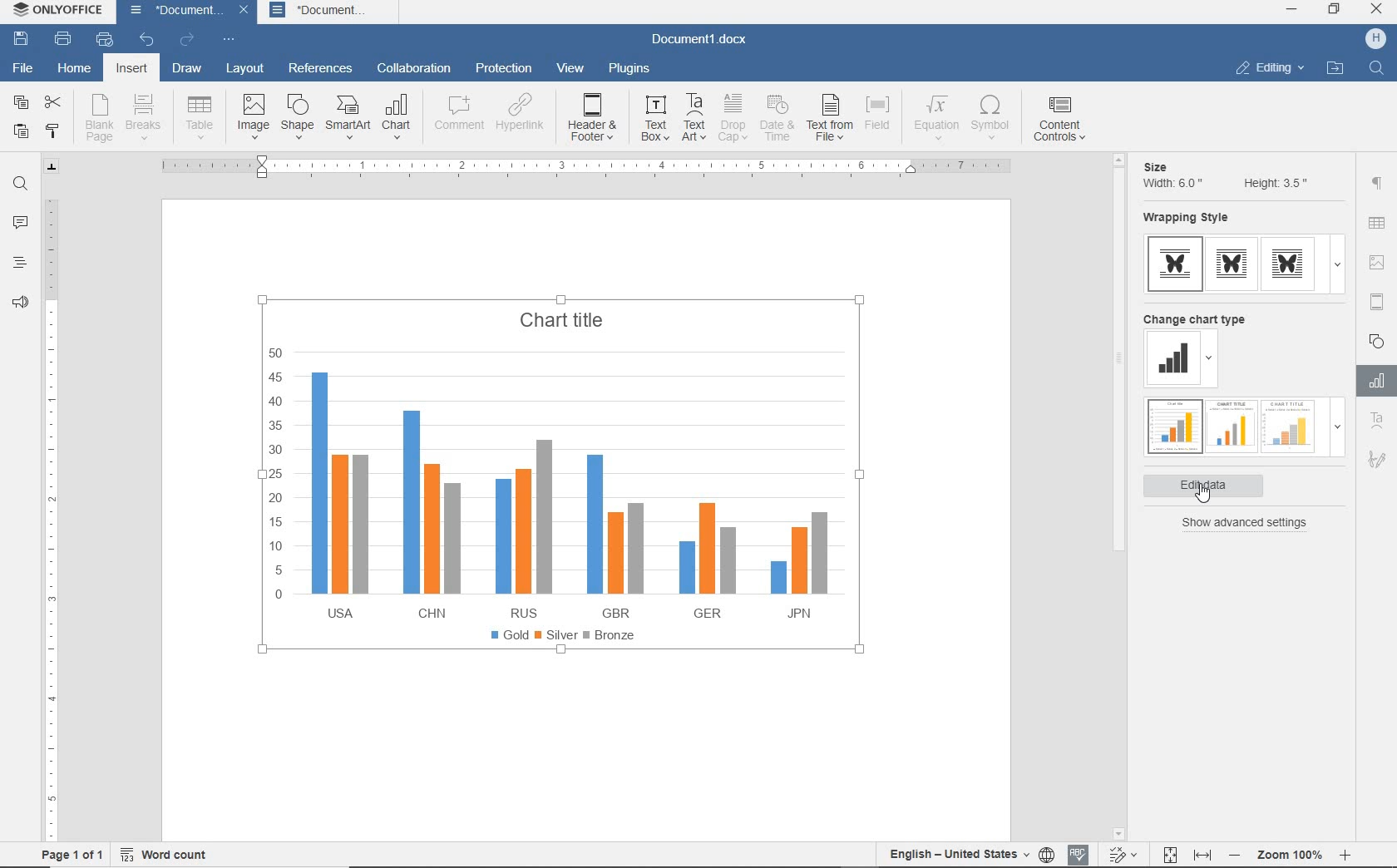  What do you see at coordinates (1167, 854) in the screenshot?
I see `fit to page` at bounding box center [1167, 854].